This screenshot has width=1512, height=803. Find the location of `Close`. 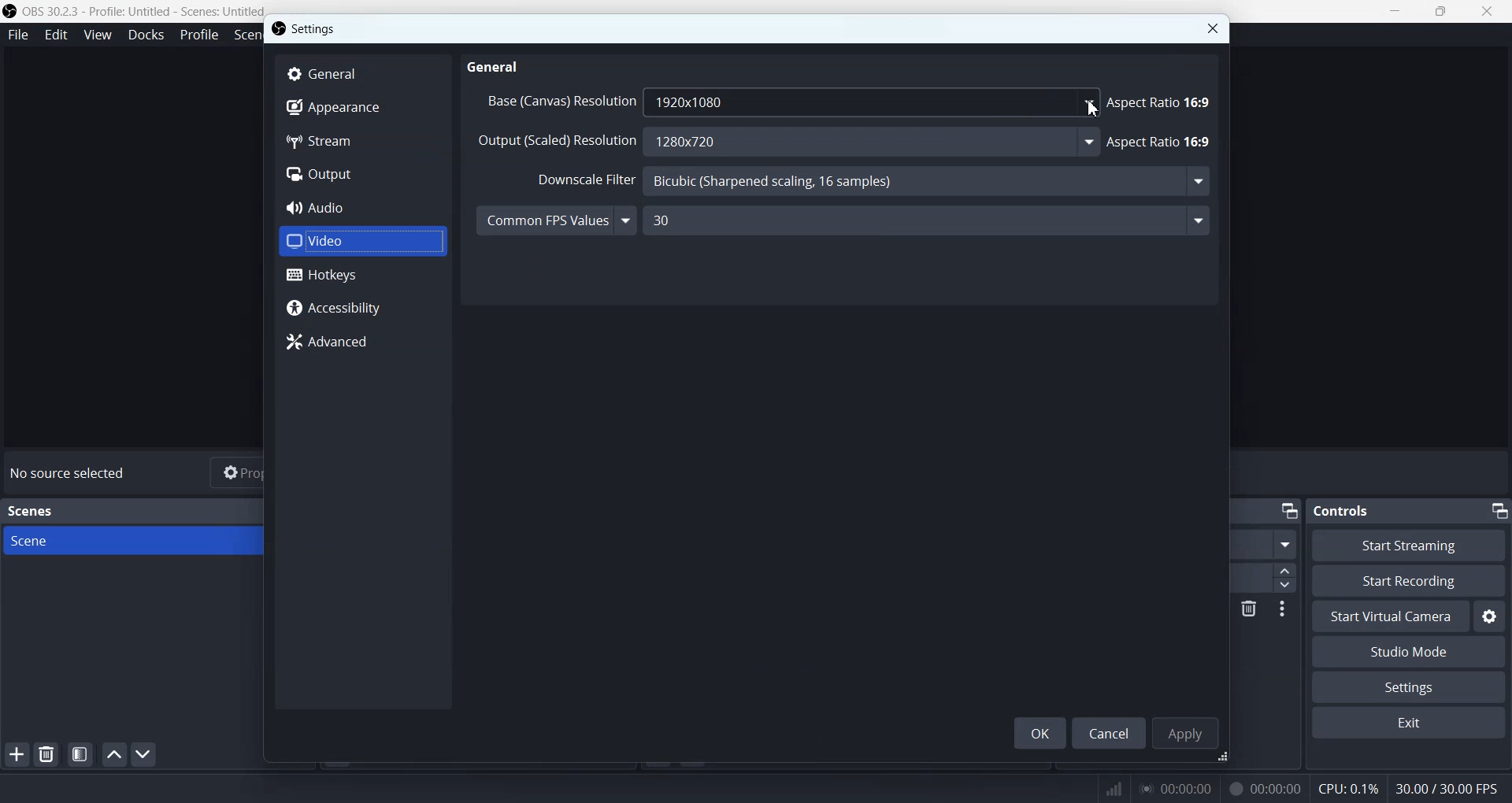

Close is located at coordinates (1213, 28).